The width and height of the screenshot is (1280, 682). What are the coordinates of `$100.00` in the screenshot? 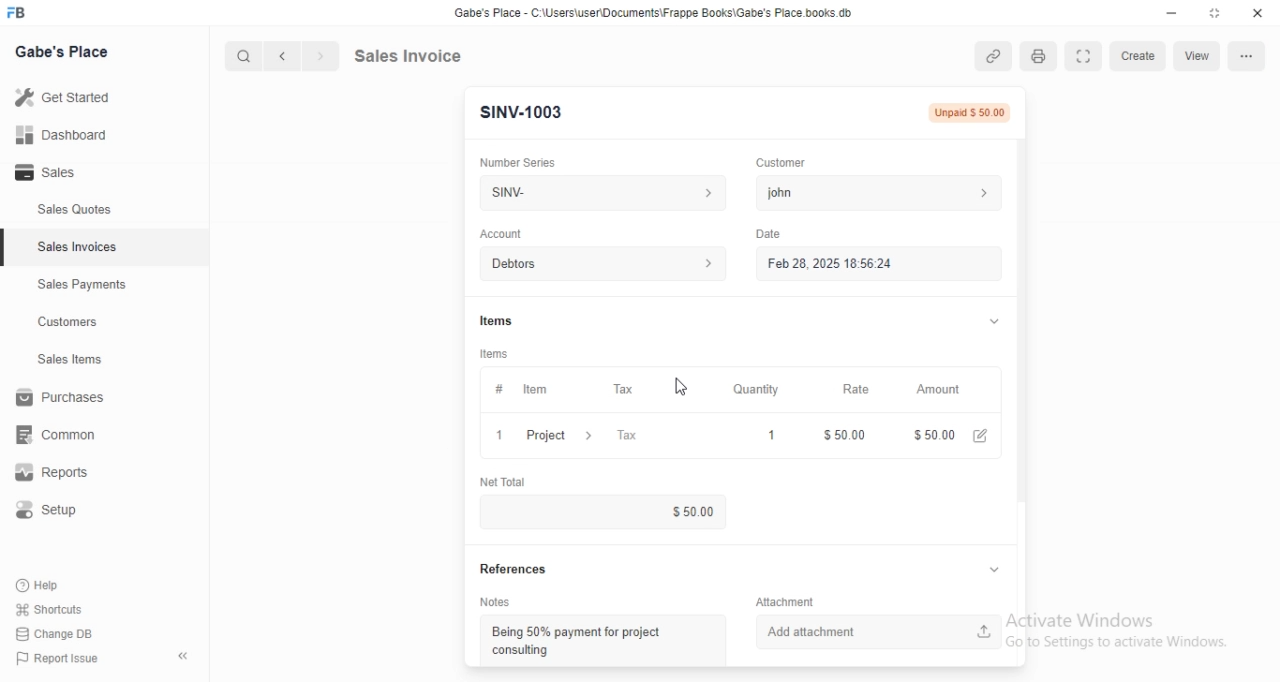 It's located at (927, 433).